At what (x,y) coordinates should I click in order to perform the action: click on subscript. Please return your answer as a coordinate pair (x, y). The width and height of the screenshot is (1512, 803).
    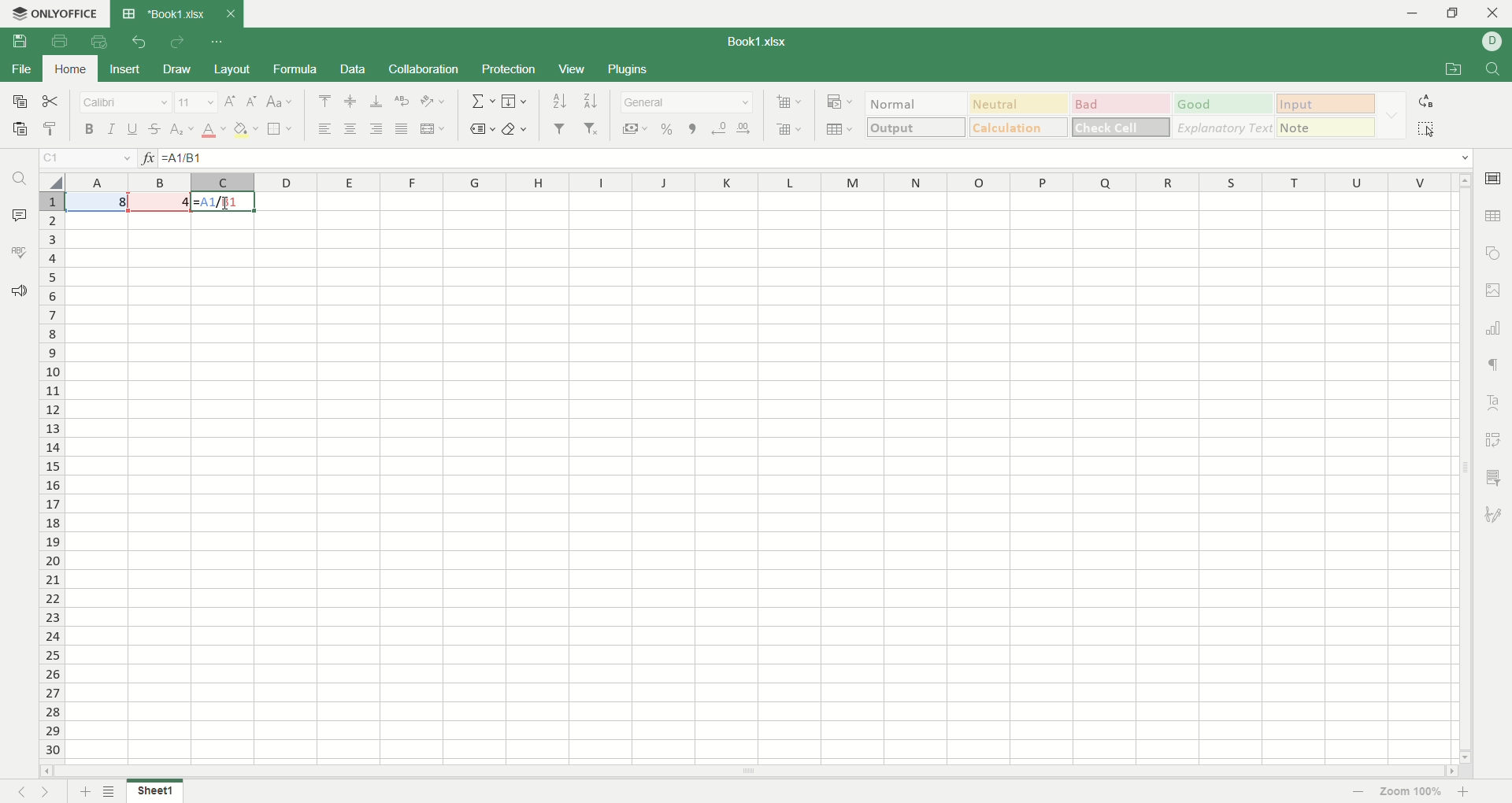
    Looking at the image, I should click on (183, 130).